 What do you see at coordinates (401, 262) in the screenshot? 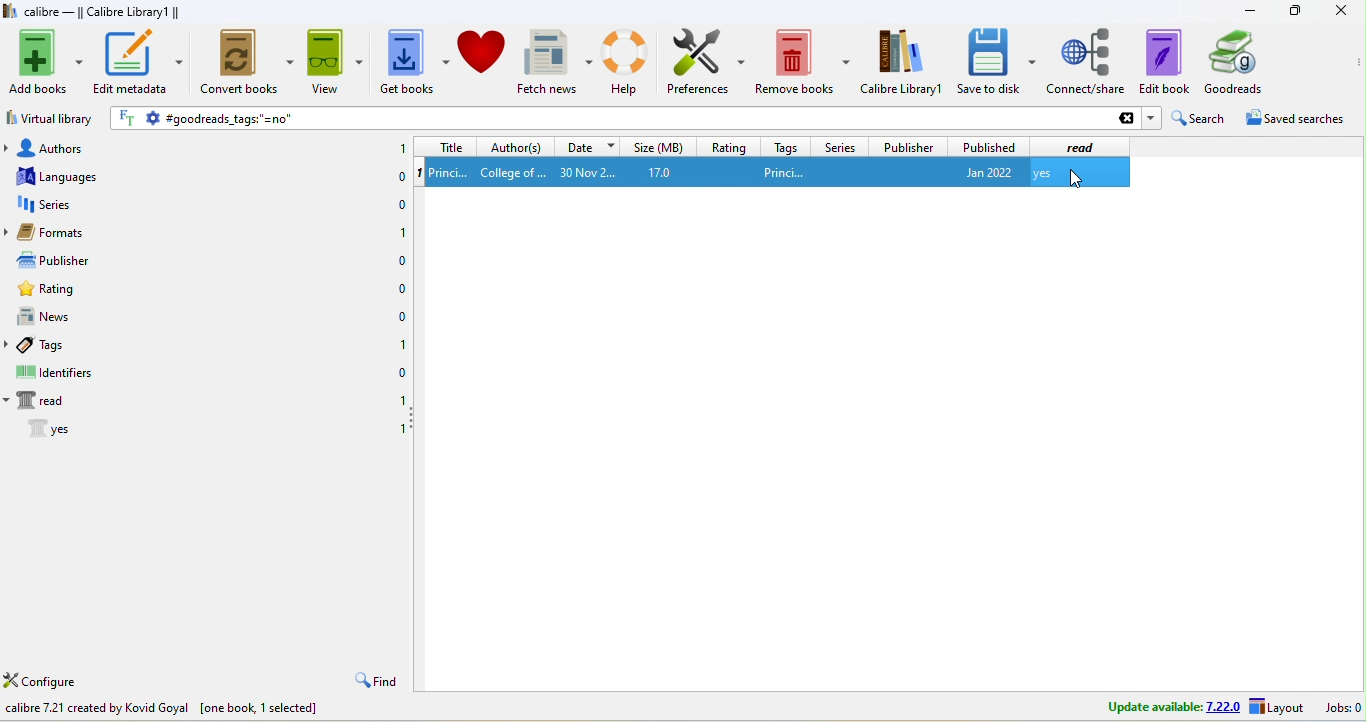
I see `0` at bounding box center [401, 262].